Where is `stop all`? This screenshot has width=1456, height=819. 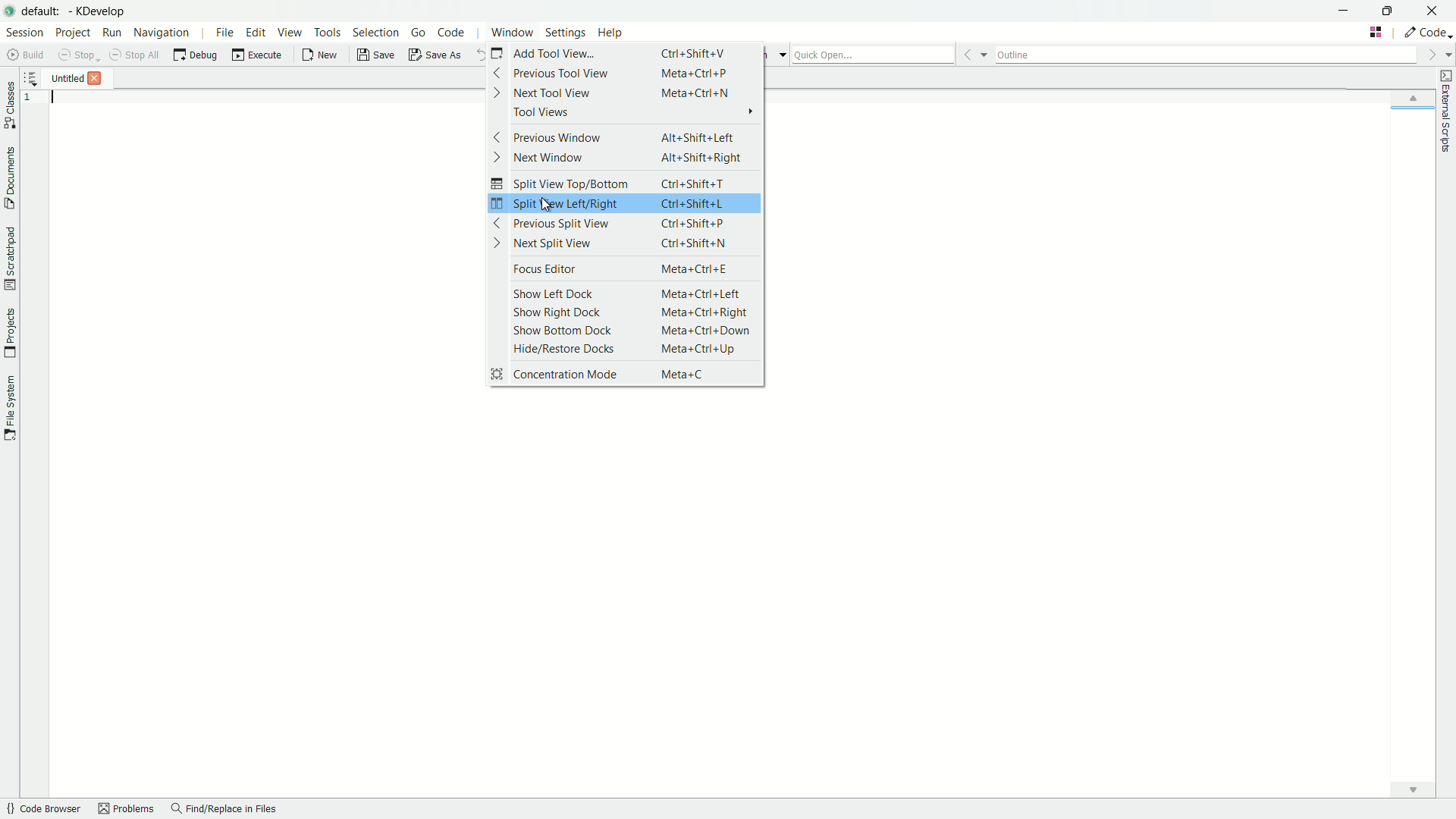 stop all is located at coordinates (135, 55).